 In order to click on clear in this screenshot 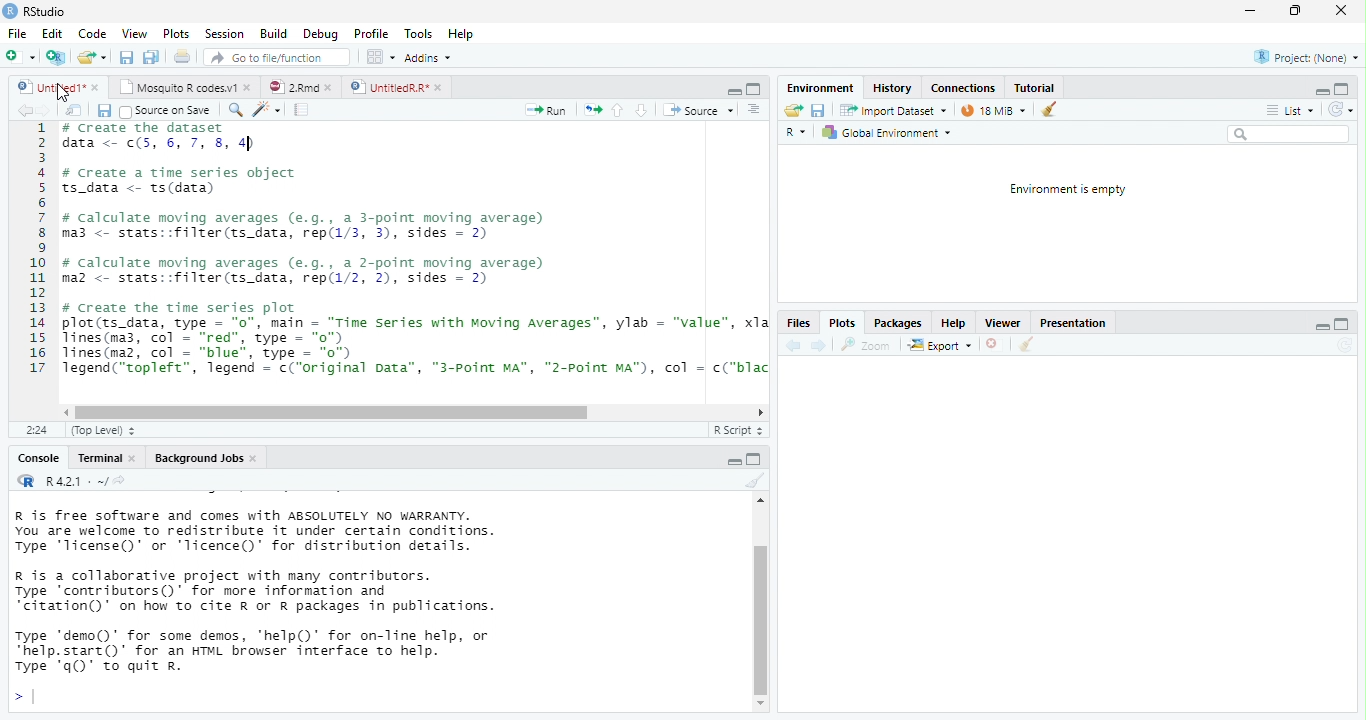, I will do `click(1049, 108)`.